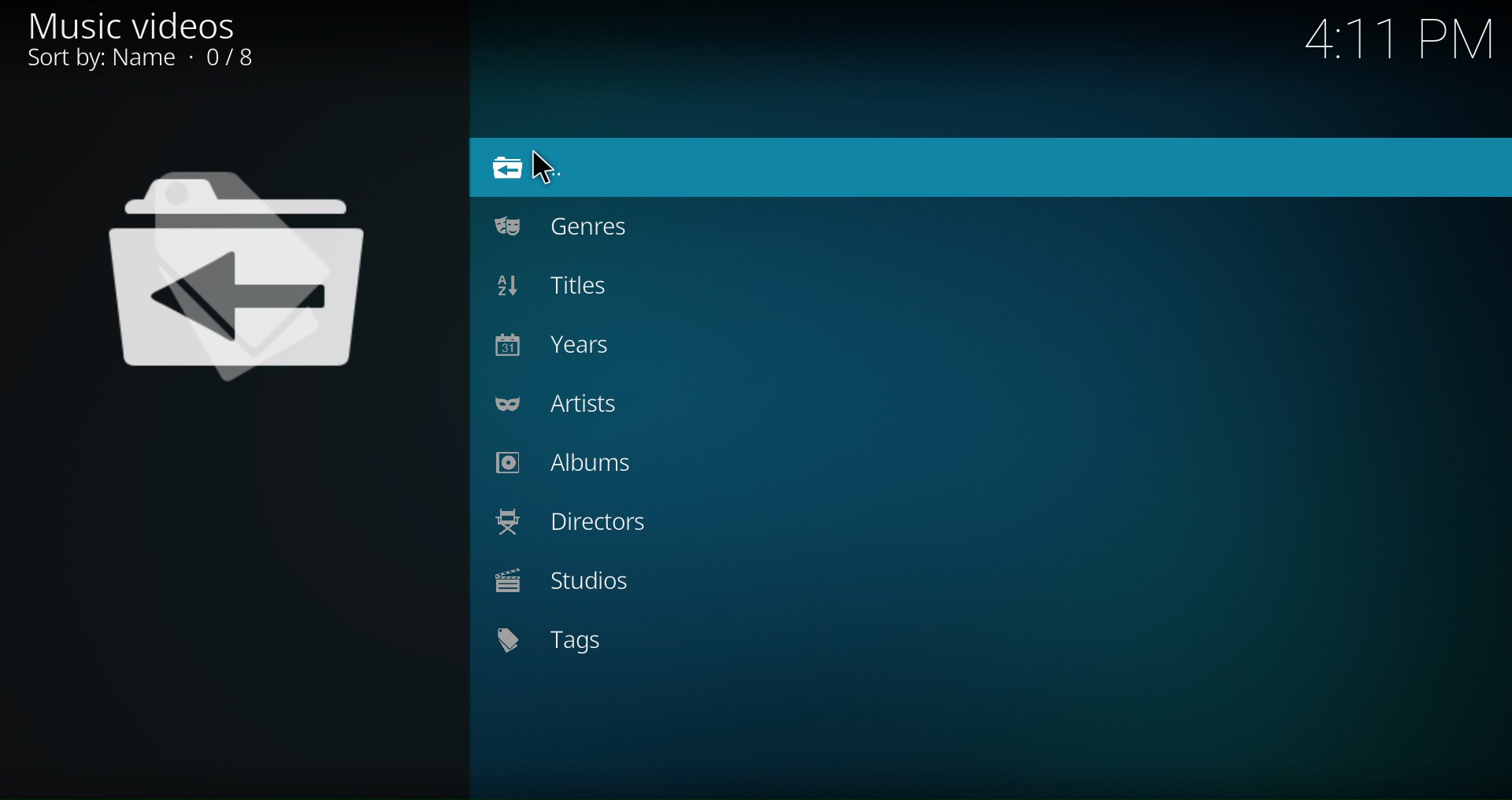 Image resolution: width=1512 pixels, height=800 pixels. Describe the element at coordinates (624, 165) in the screenshot. I see `Go to files` at that location.